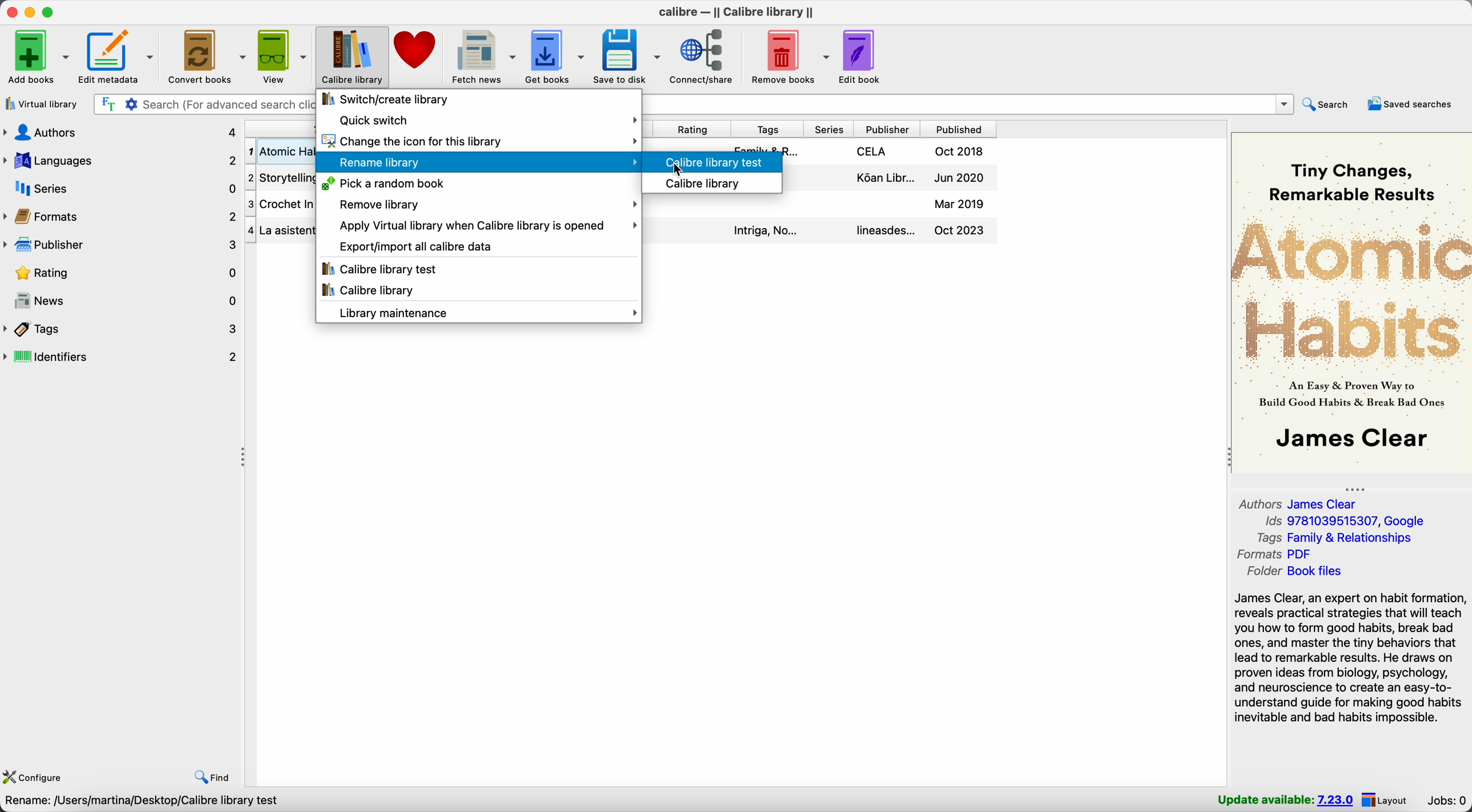 The height and width of the screenshot is (812, 1472). What do you see at coordinates (706, 57) in the screenshot?
I see `connect/share` at bounding box center [706, 57].